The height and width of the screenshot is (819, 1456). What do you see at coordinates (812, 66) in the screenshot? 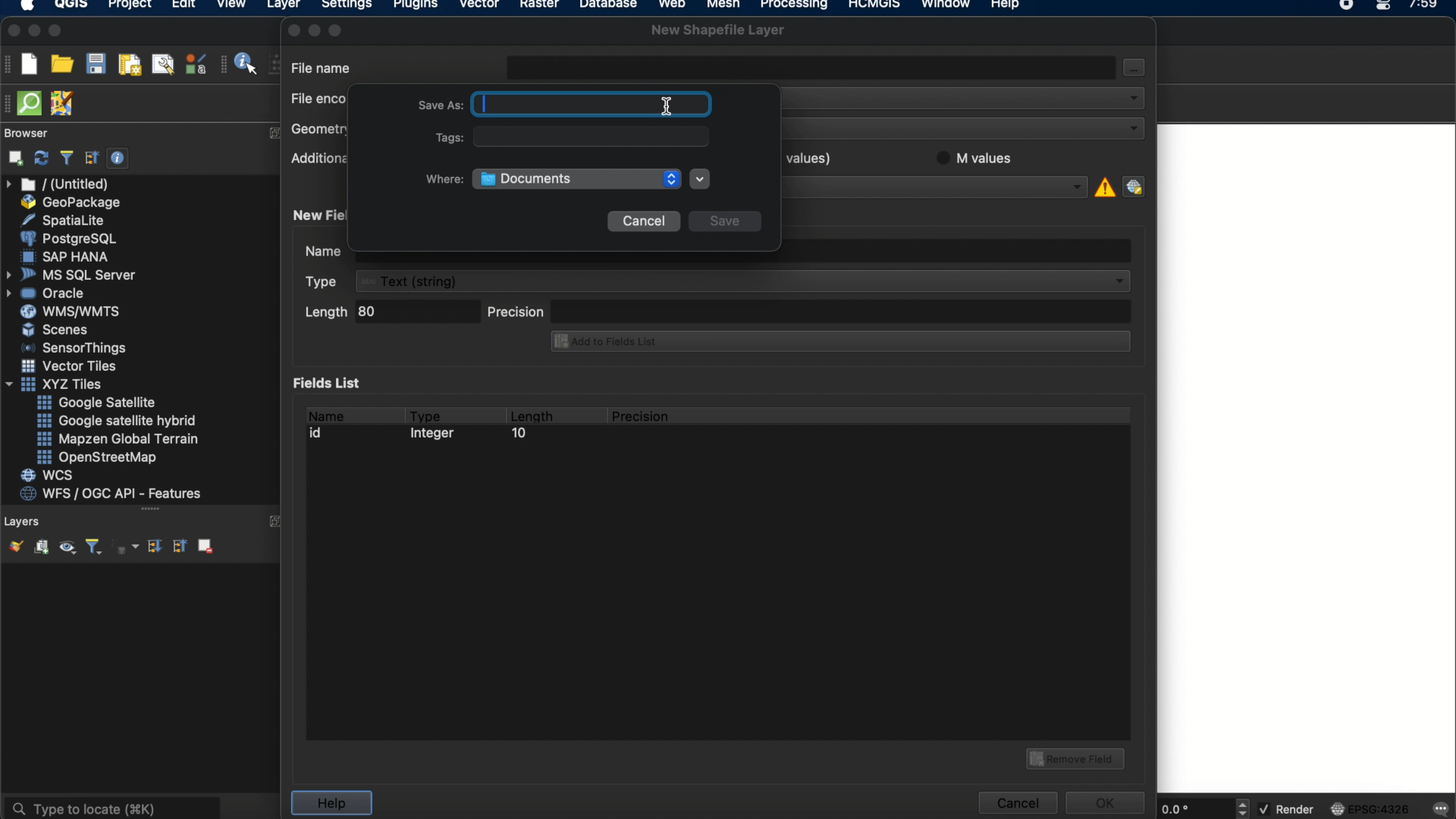
I see `file name text box` at bounding box center [812, 66].